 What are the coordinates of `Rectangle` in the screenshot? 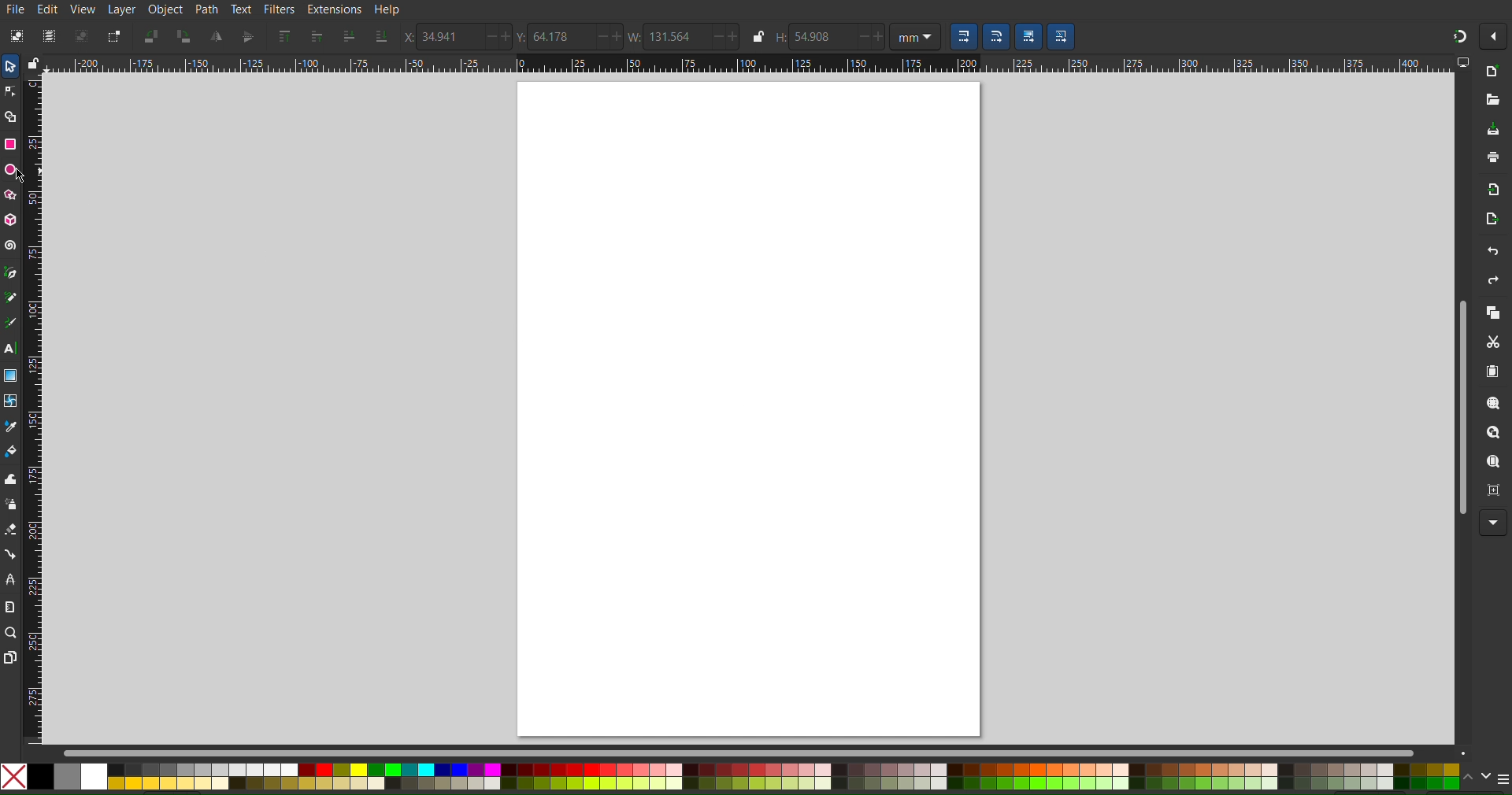 It's located at (11, 144).